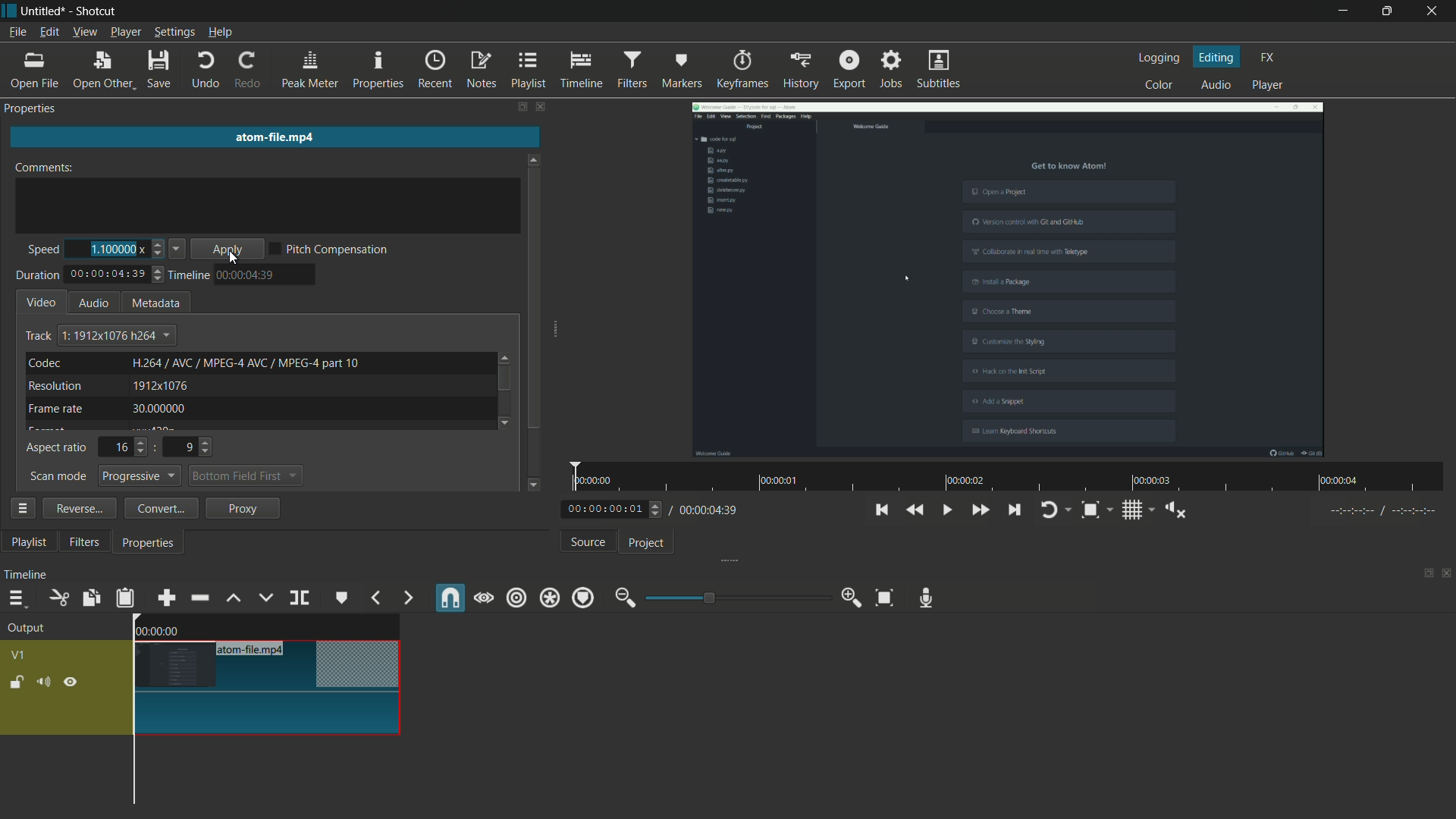 The width and height of the screenshot is (1456, 819). Describe the element at coordinates (49, 167) in the screenshot. I see `comments` at that location.